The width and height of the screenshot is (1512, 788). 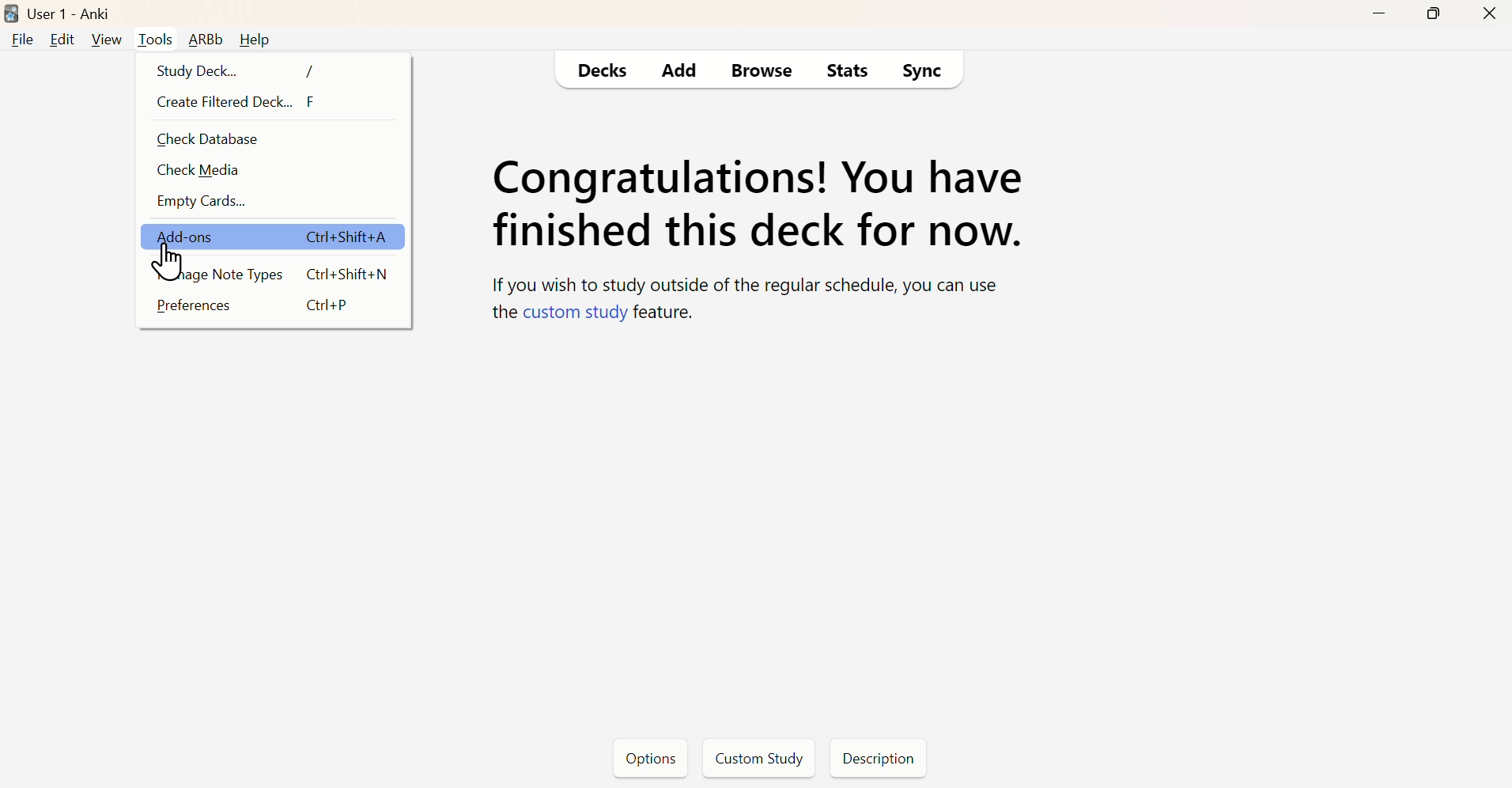 What do you see at coordinates (1438, 13) in the screenshot?
I see `Maximize` at bounding box center [1438, 13].